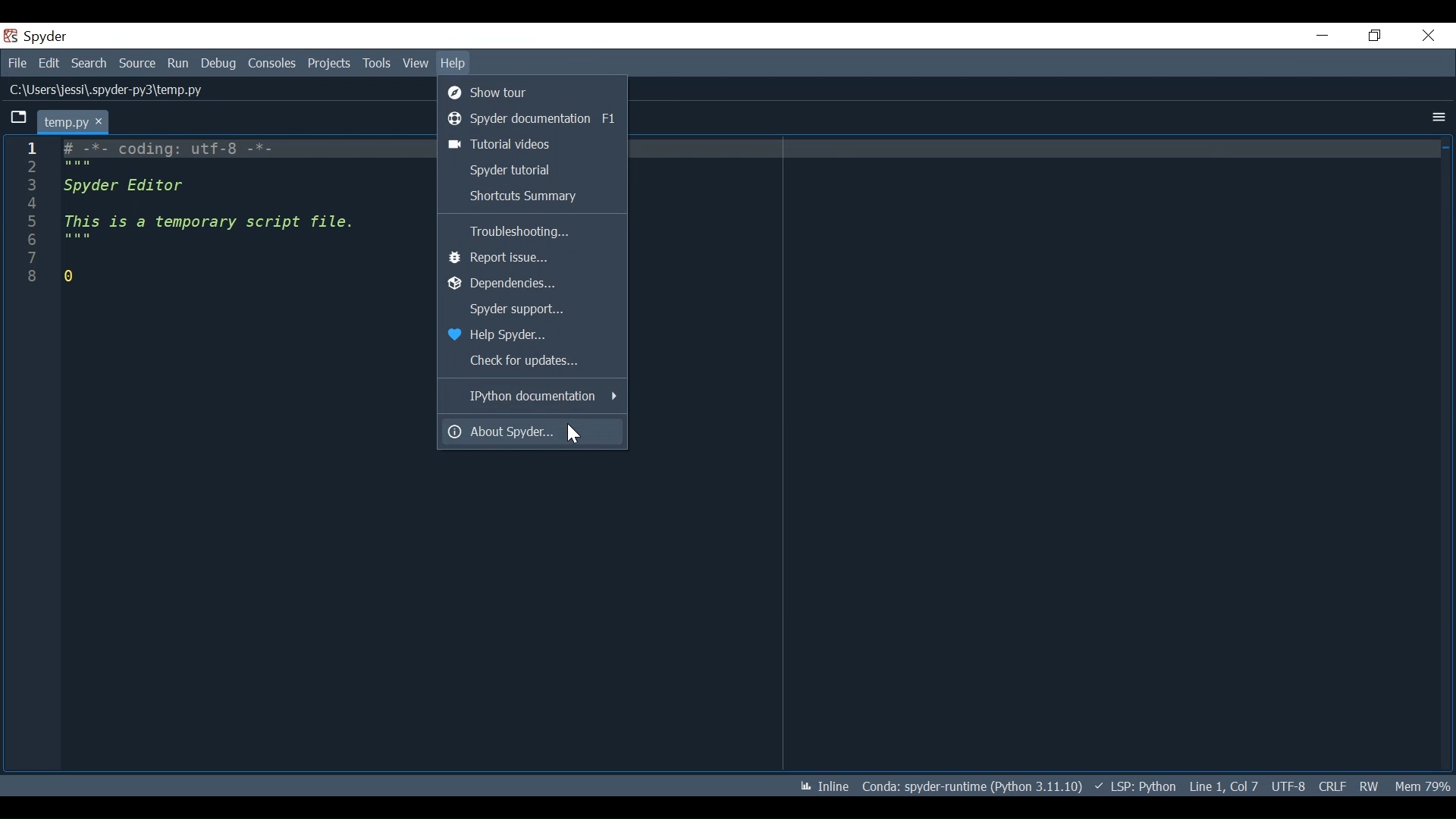 This screenshot has width=1456, height=819. What do you see at coordinates (533, 120) in the screenshot?
I see `Spyder Documentation` at bounding box center [533, 120].